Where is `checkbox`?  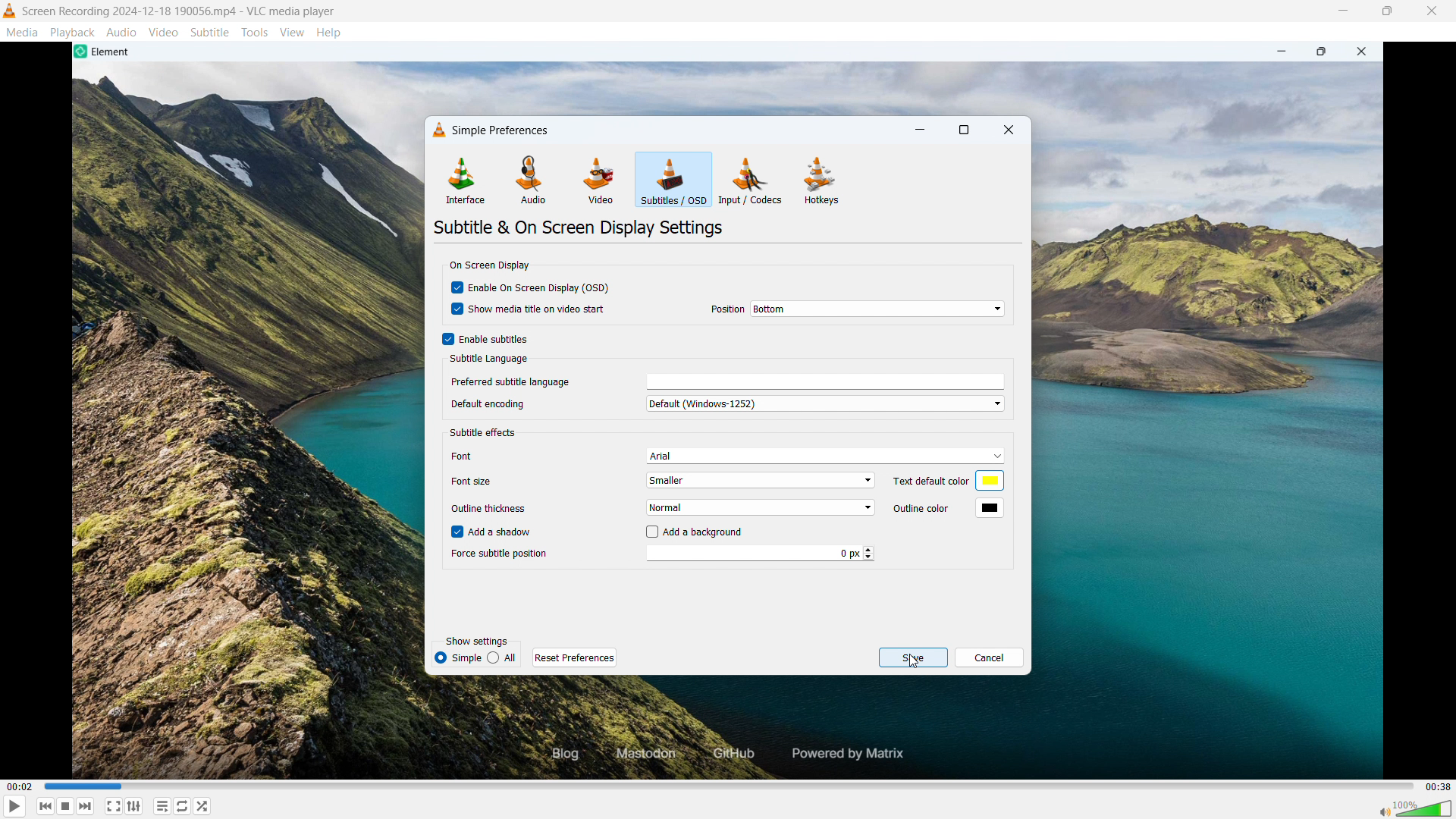 checkbox is located at coordinates (458, 310).